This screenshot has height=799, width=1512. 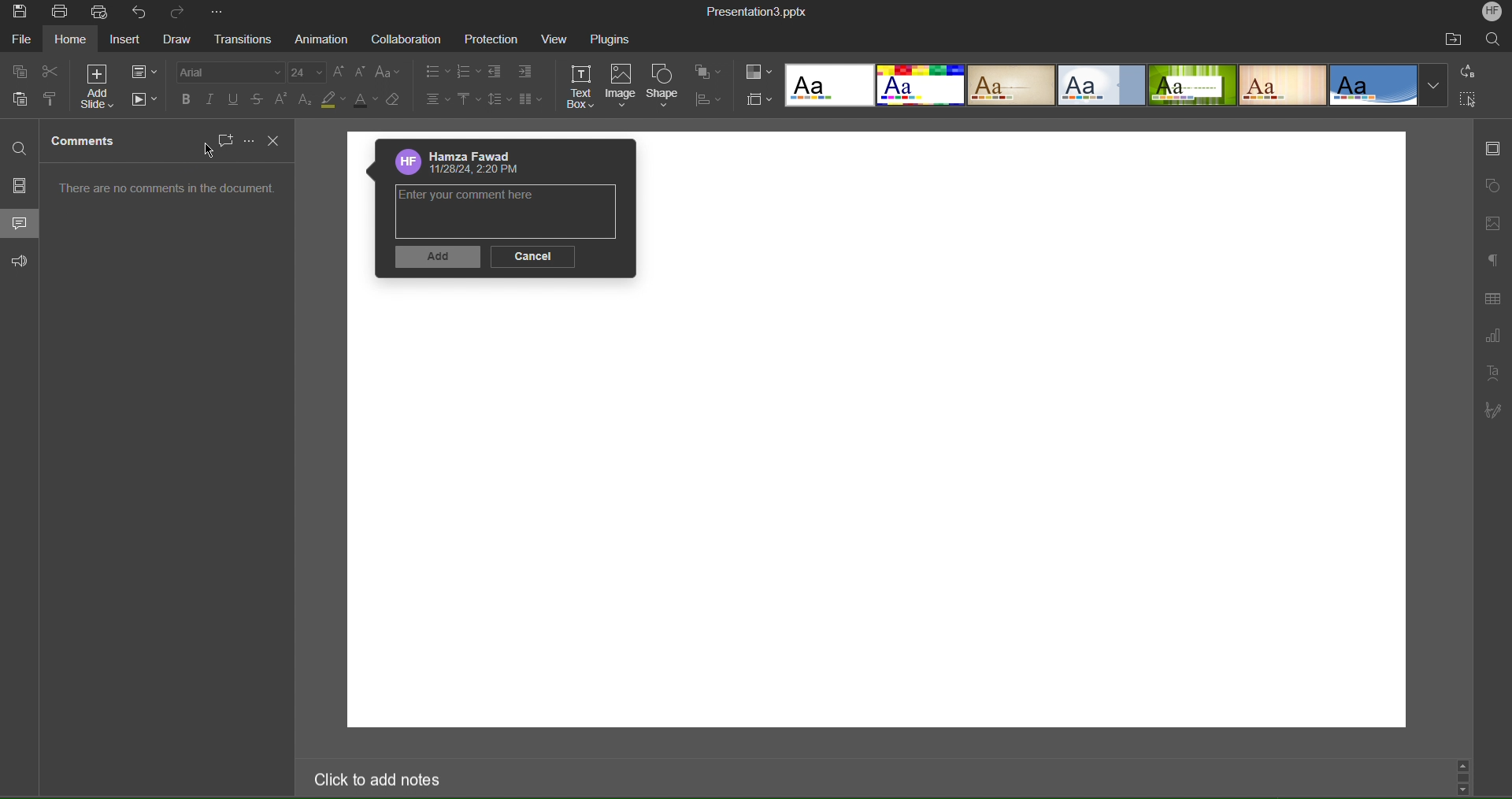 I want to click on Save Image, so click(x=20, y=13).